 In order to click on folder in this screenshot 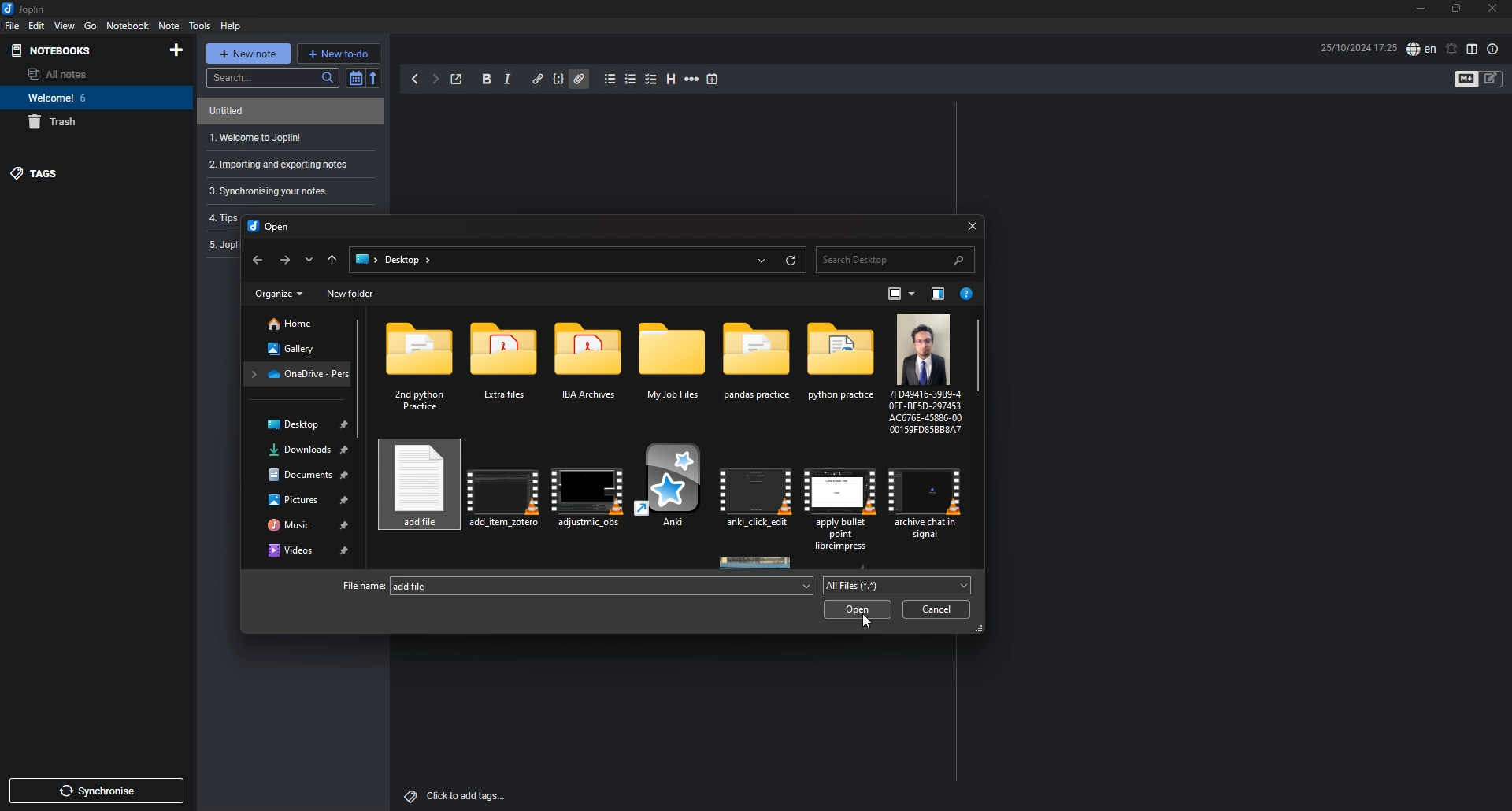, I will do `click(509, 368)`.